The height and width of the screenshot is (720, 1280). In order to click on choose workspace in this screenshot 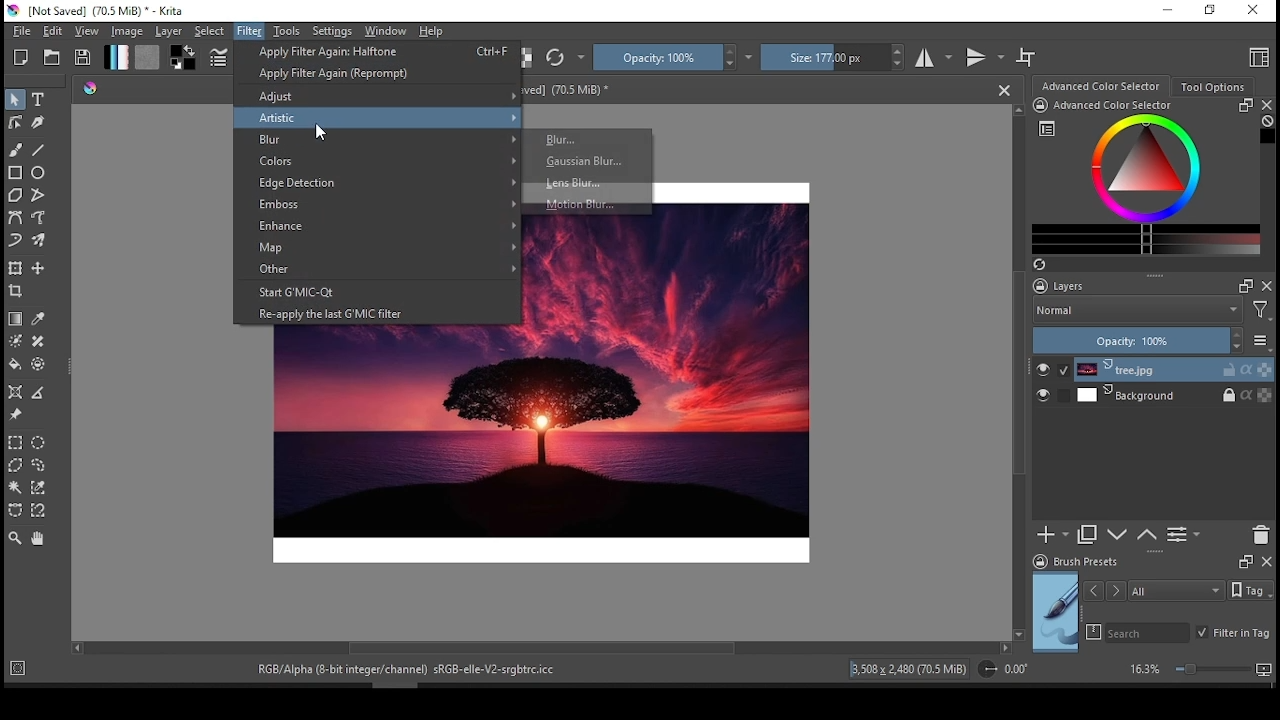, I will do `click(1255, 56)`.